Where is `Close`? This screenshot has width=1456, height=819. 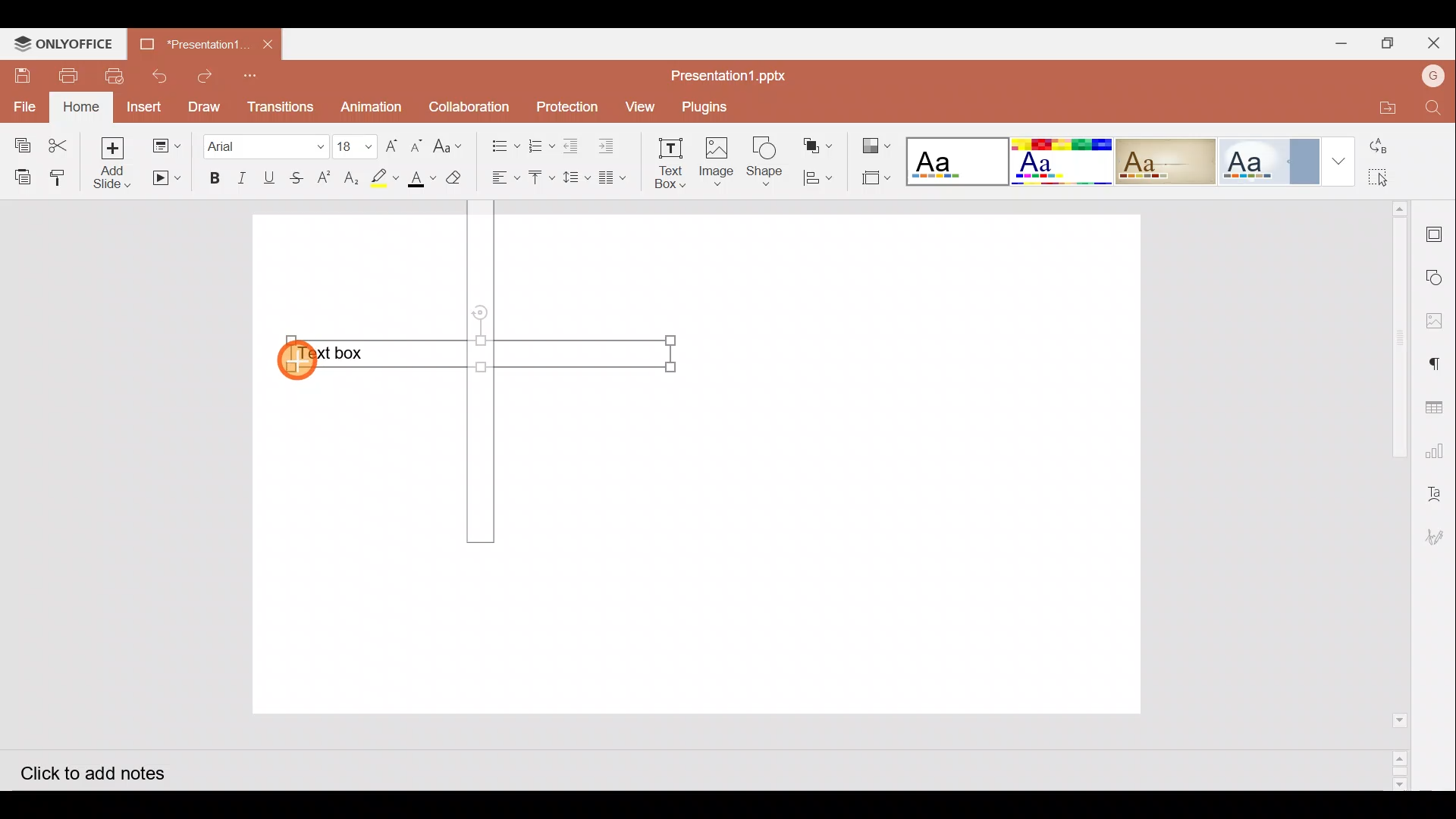 Close is located at coordinates (1437, 44).